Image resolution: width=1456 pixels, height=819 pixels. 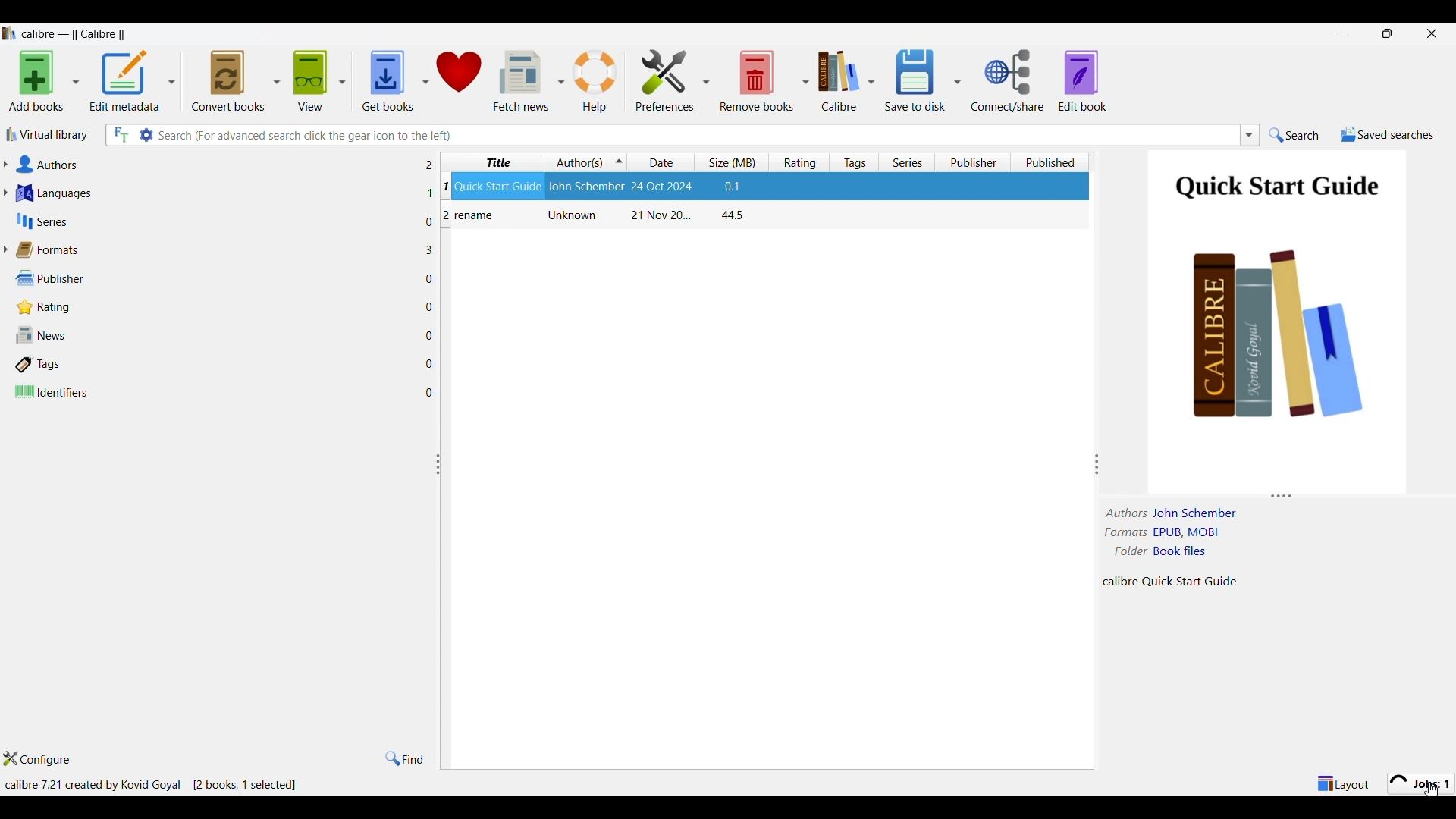 What do you see at coordinates (214, 392) in the screenshot?
I see `Identifiers` at bounding box center [214, 392].